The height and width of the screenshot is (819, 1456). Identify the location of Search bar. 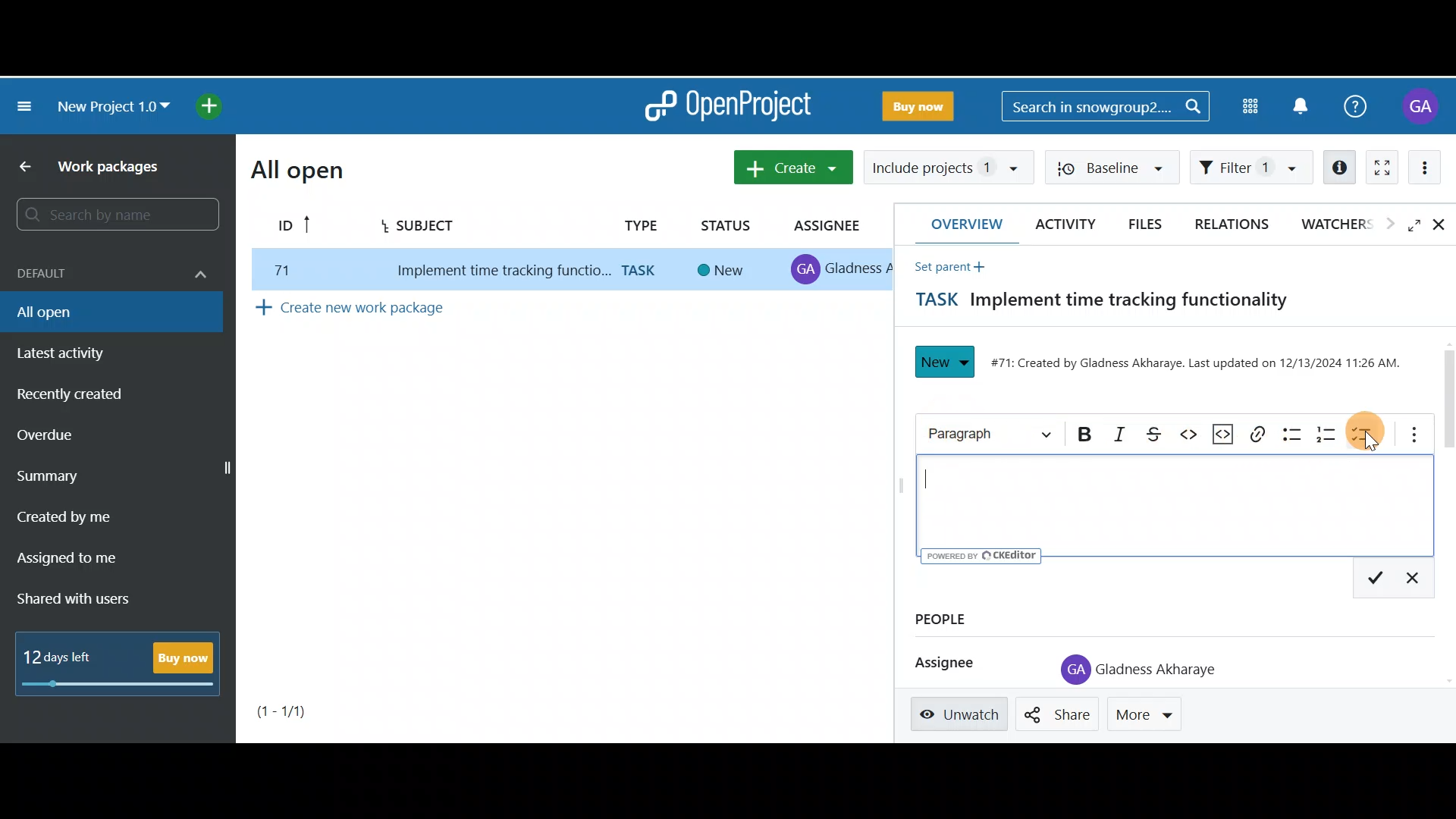
(1109, 106).